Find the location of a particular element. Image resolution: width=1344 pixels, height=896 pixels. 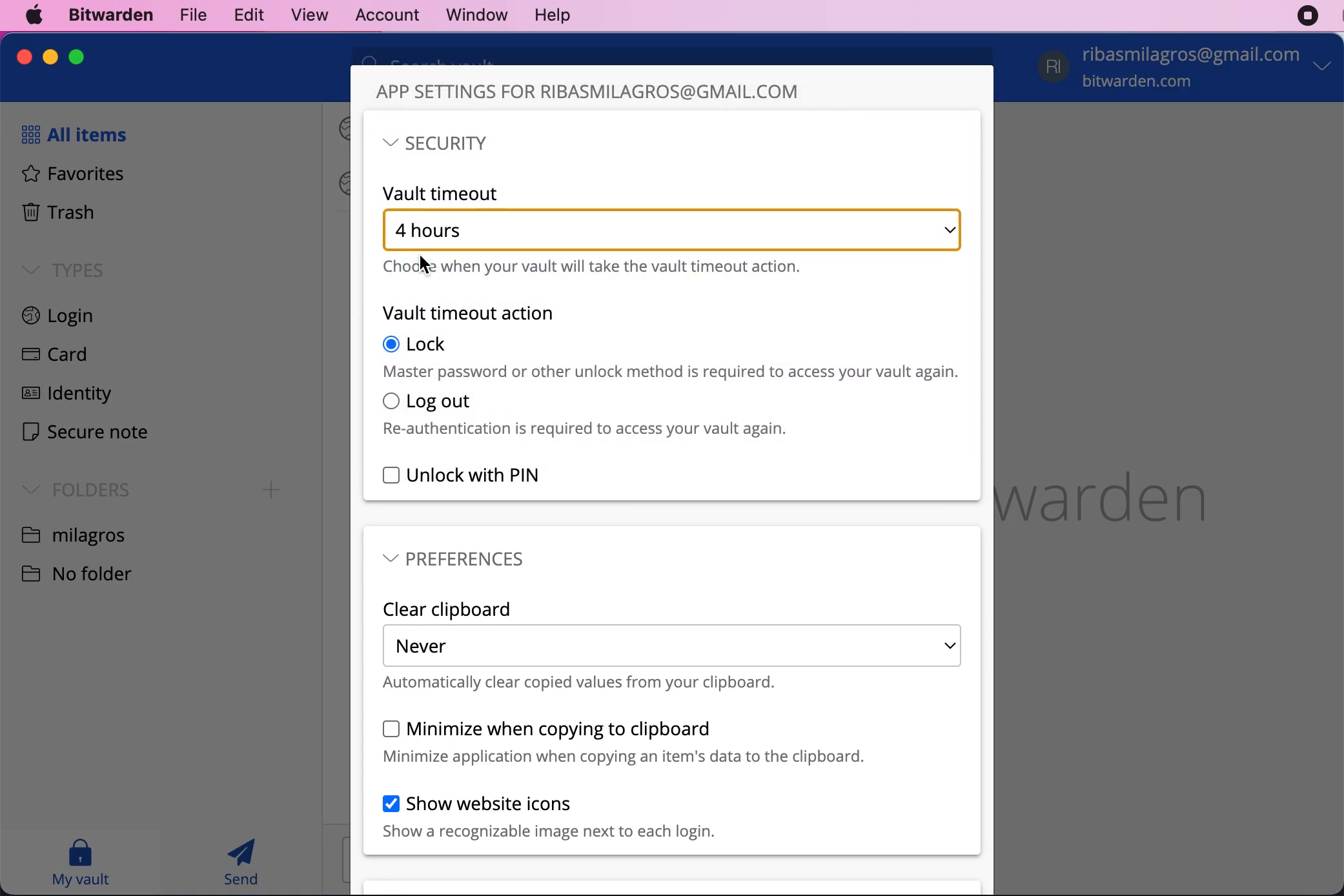

minimize is located at coordinates (50, 57).